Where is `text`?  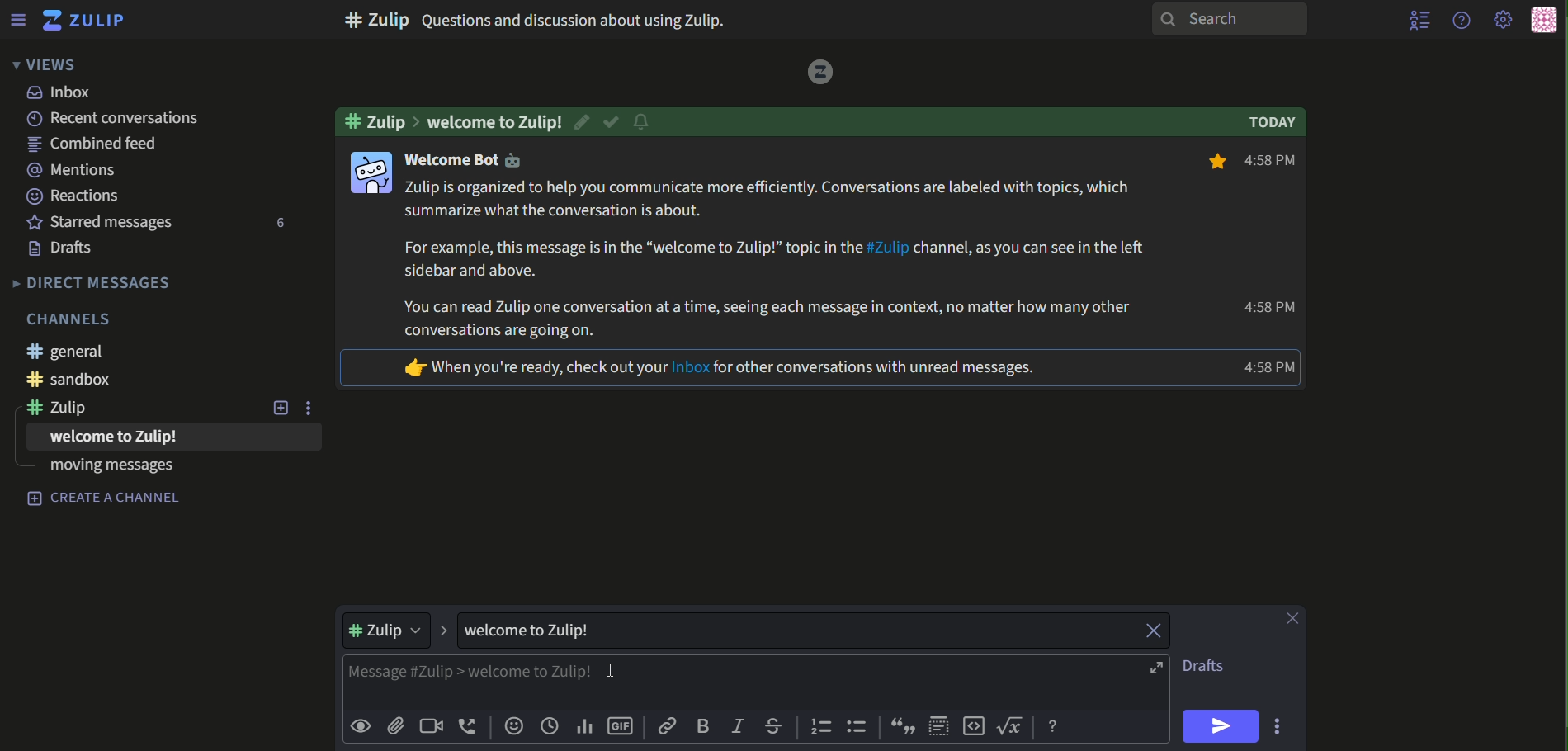 text is located at coordinates (63, 93).